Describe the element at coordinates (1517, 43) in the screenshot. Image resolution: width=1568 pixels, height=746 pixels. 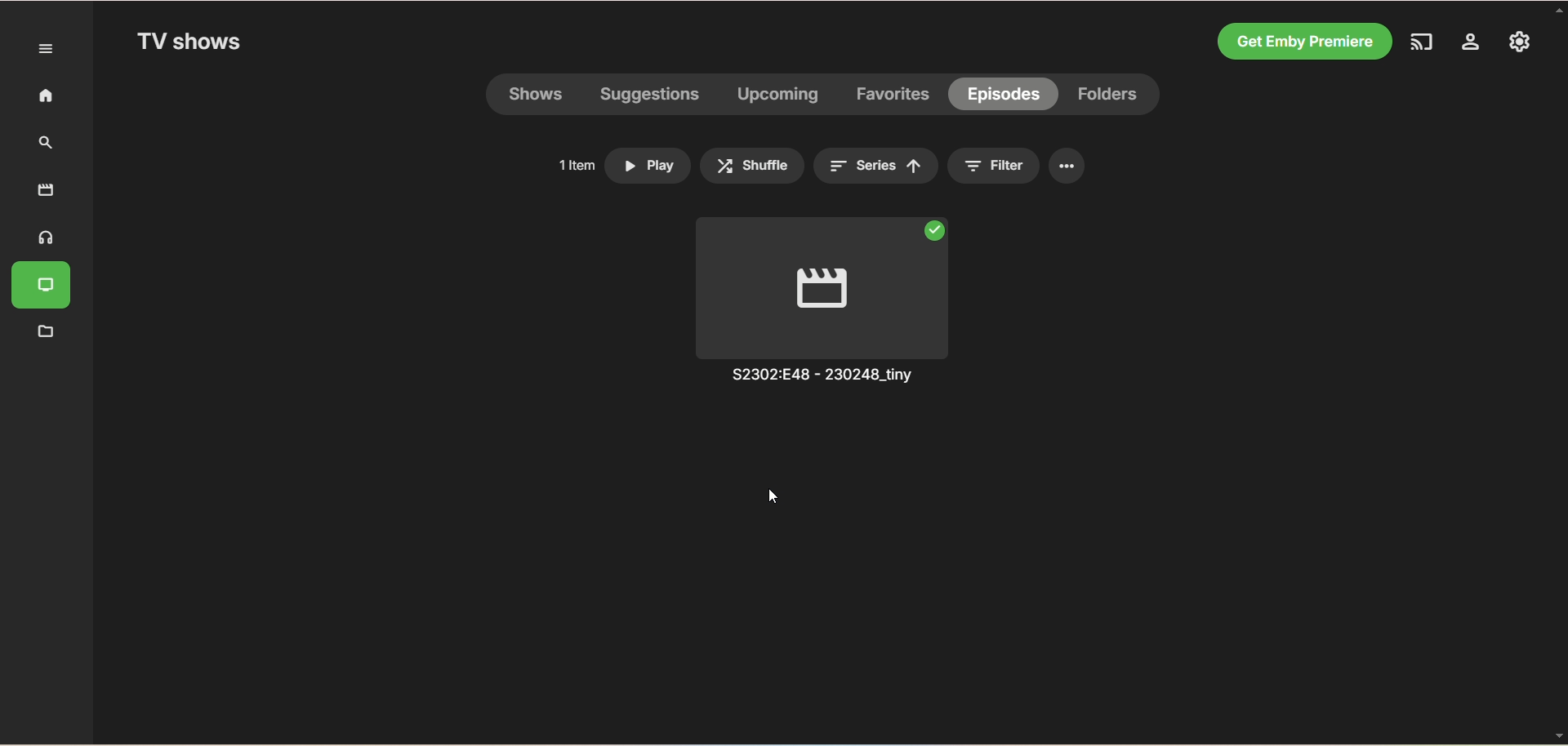
I see `manage emby server` at that location.